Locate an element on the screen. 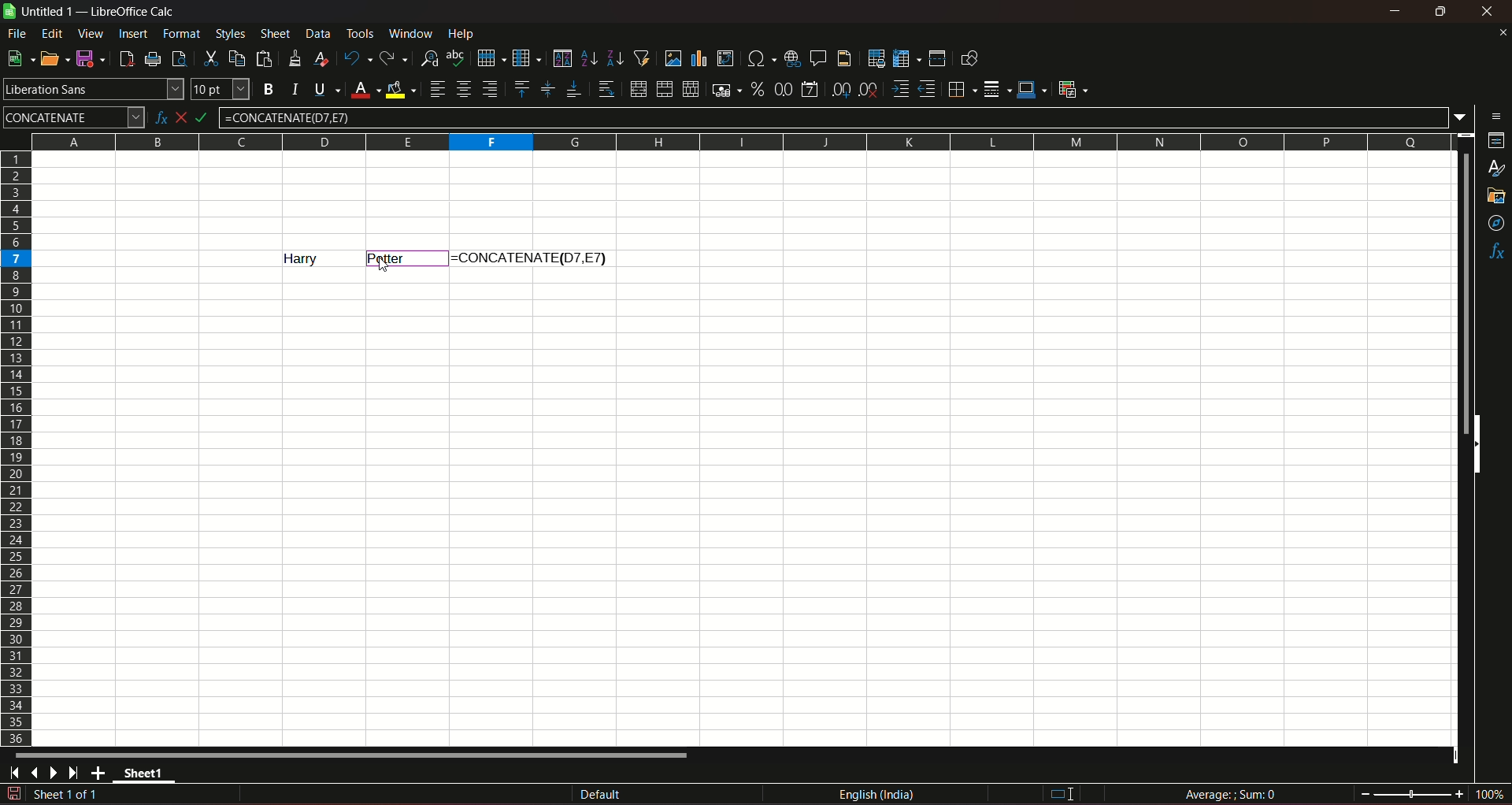 This screenshot has height=805, width=1512. center vertically is located at coordinates (547, 89).